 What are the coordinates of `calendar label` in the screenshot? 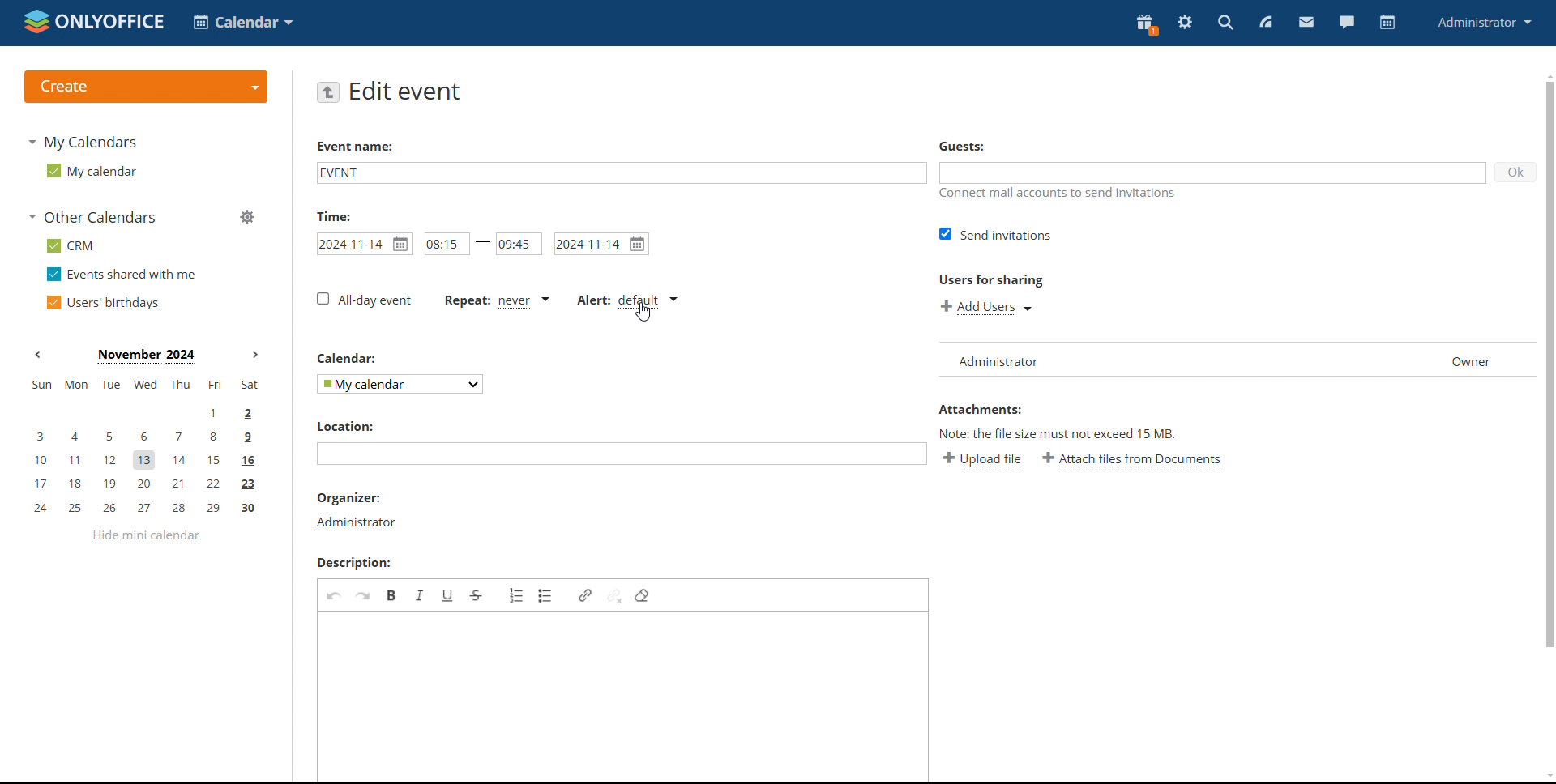 It's located at (351, 359).